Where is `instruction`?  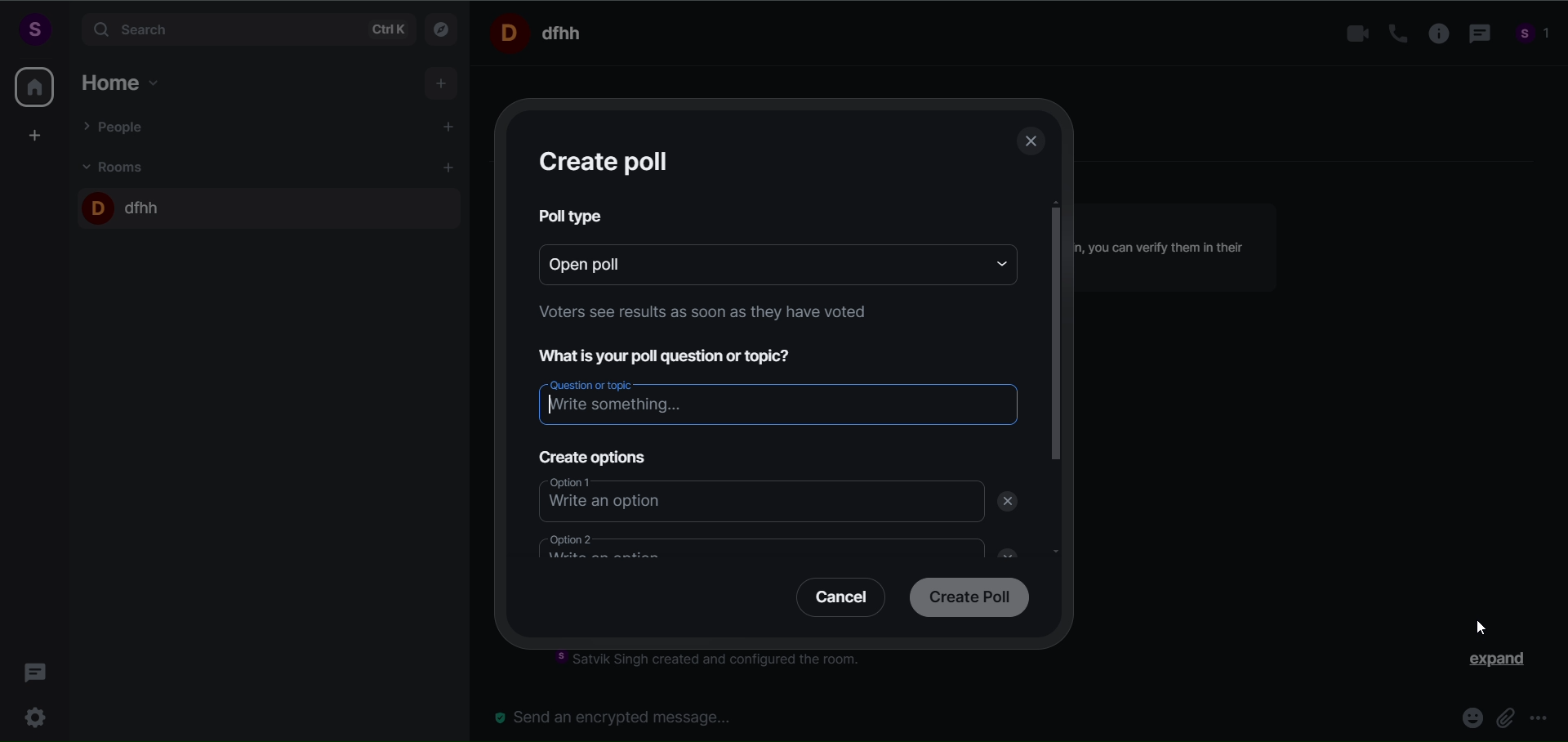 instruction is located at coordinates (719, 662).